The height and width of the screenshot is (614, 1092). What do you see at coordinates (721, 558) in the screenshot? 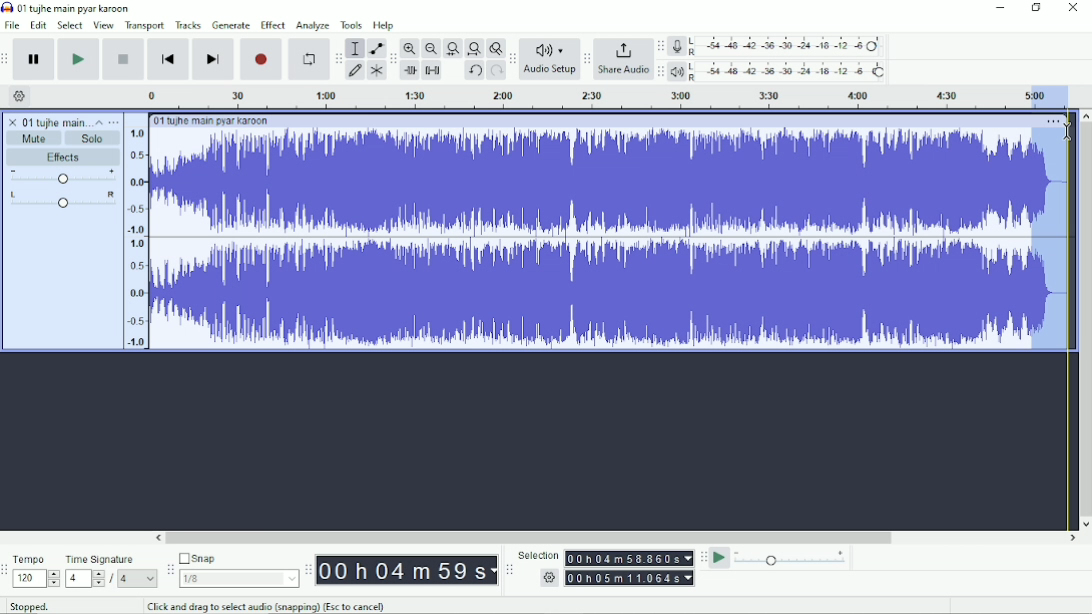
I see `Play-at-speed` at bounding box center [721, 558].